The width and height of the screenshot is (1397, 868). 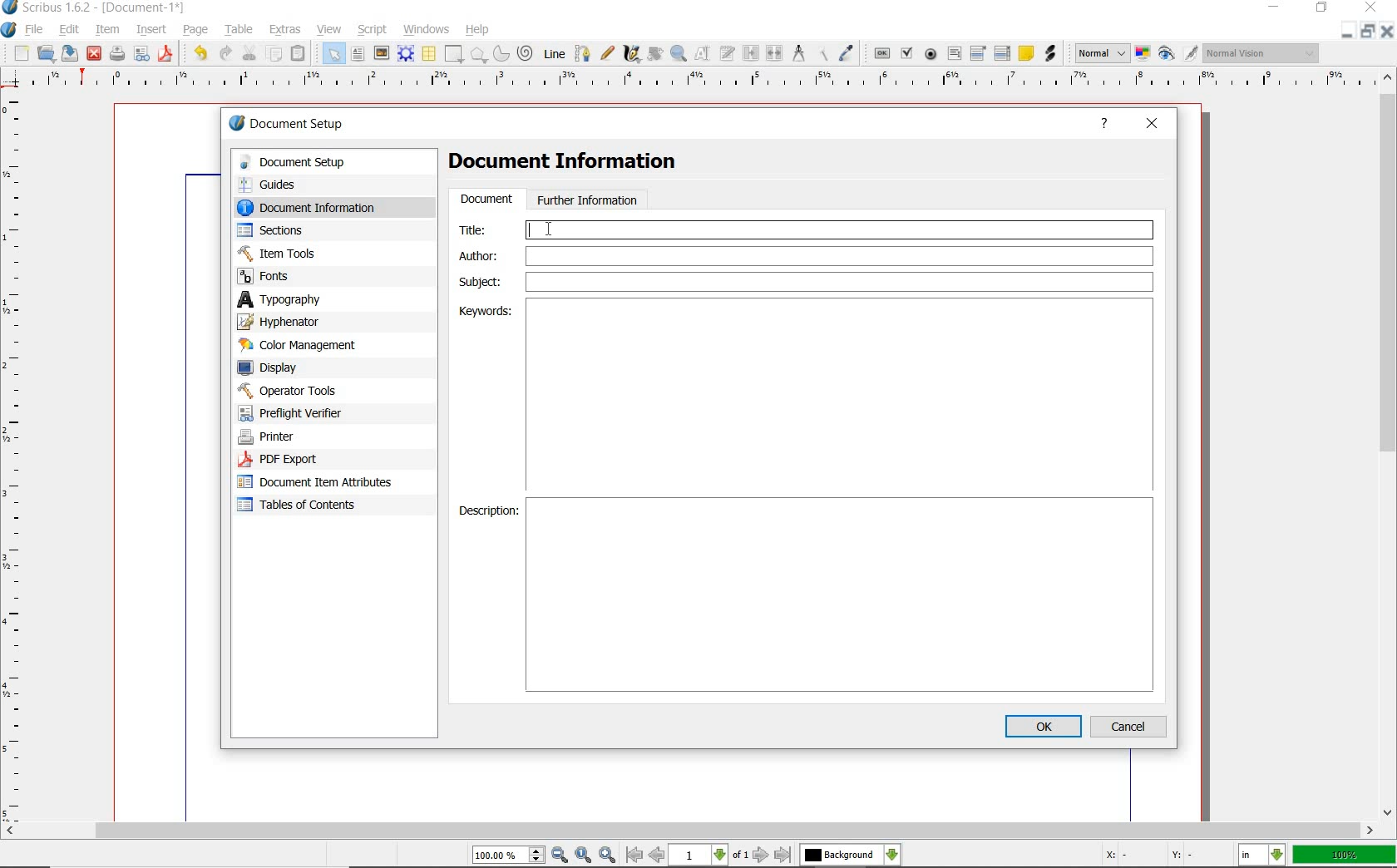 What do you see at coordinates (20, 53) in the screenshot?
I see `new` at bounding box center [20, 53].